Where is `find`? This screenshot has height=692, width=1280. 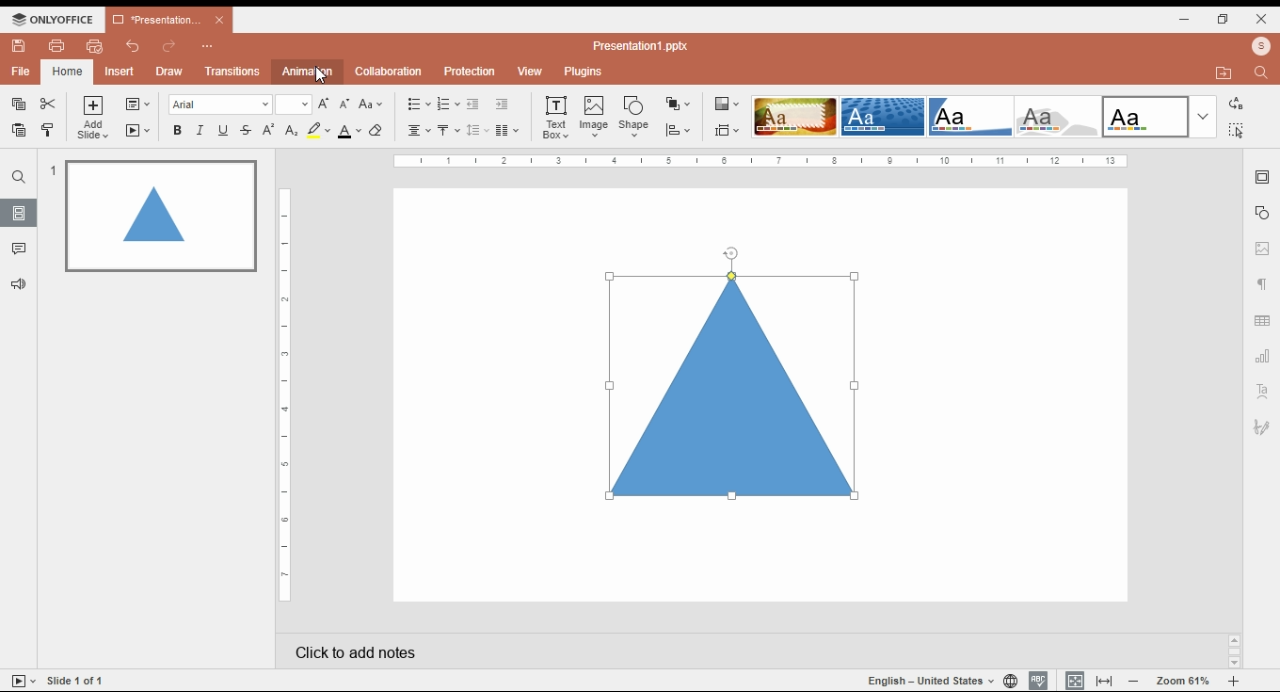 find is located at coordinates (1260, 73).